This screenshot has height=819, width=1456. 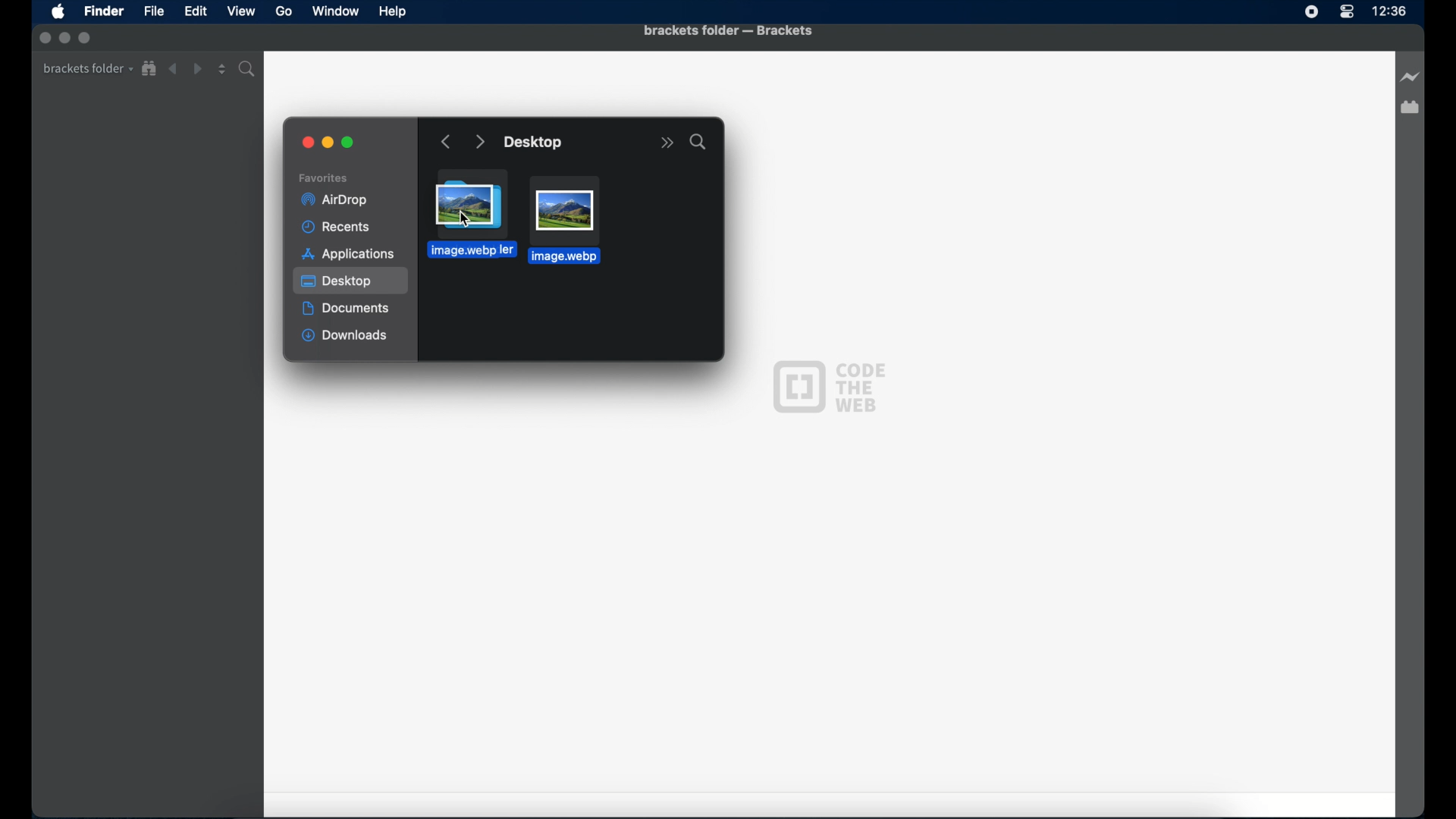 What do you see at coordinates (350, 143) in the screenshot?
I see `maximize` at bounding box center [350, 143].